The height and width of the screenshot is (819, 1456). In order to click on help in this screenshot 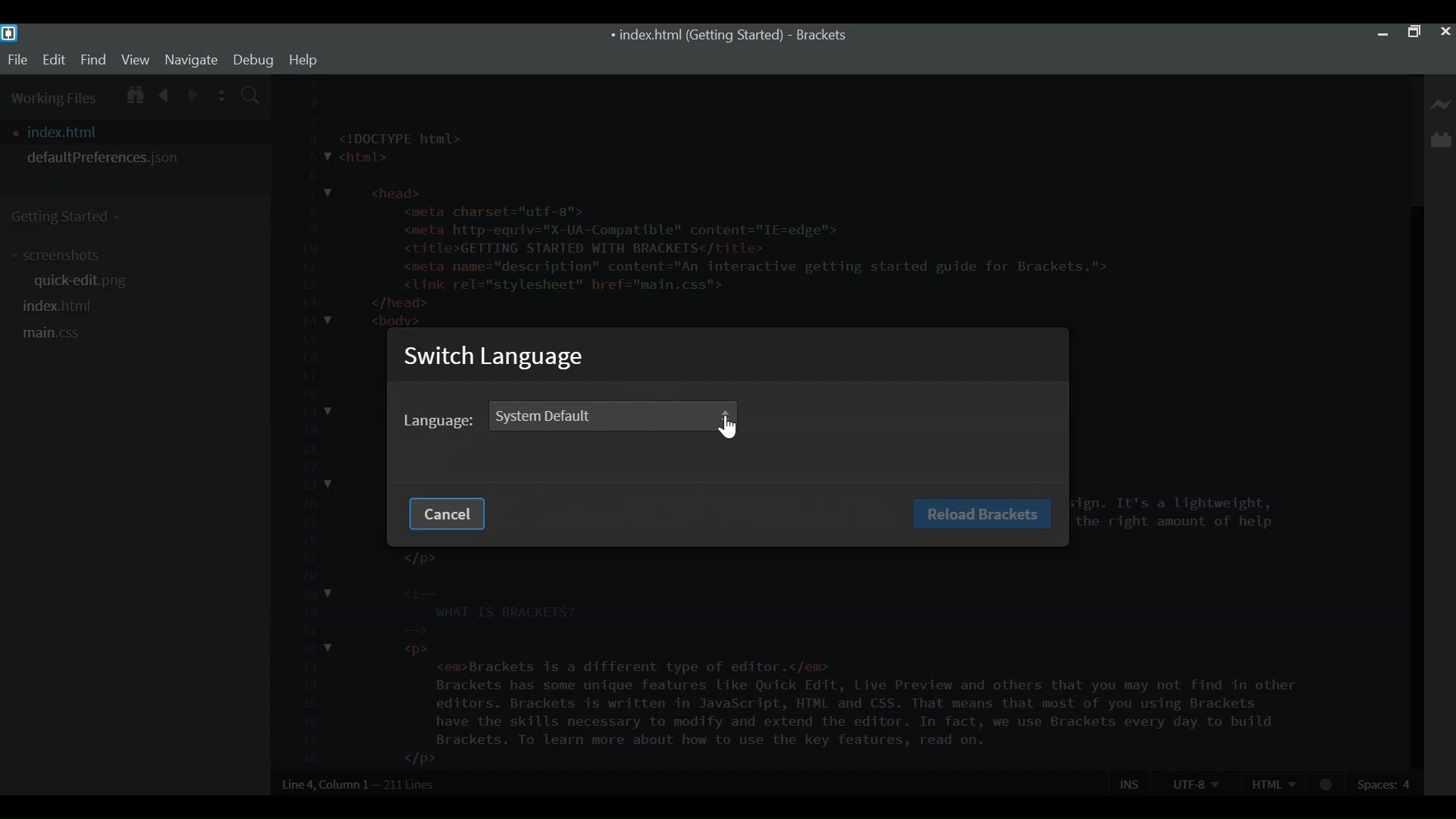, I will do `click(303, 60)`.